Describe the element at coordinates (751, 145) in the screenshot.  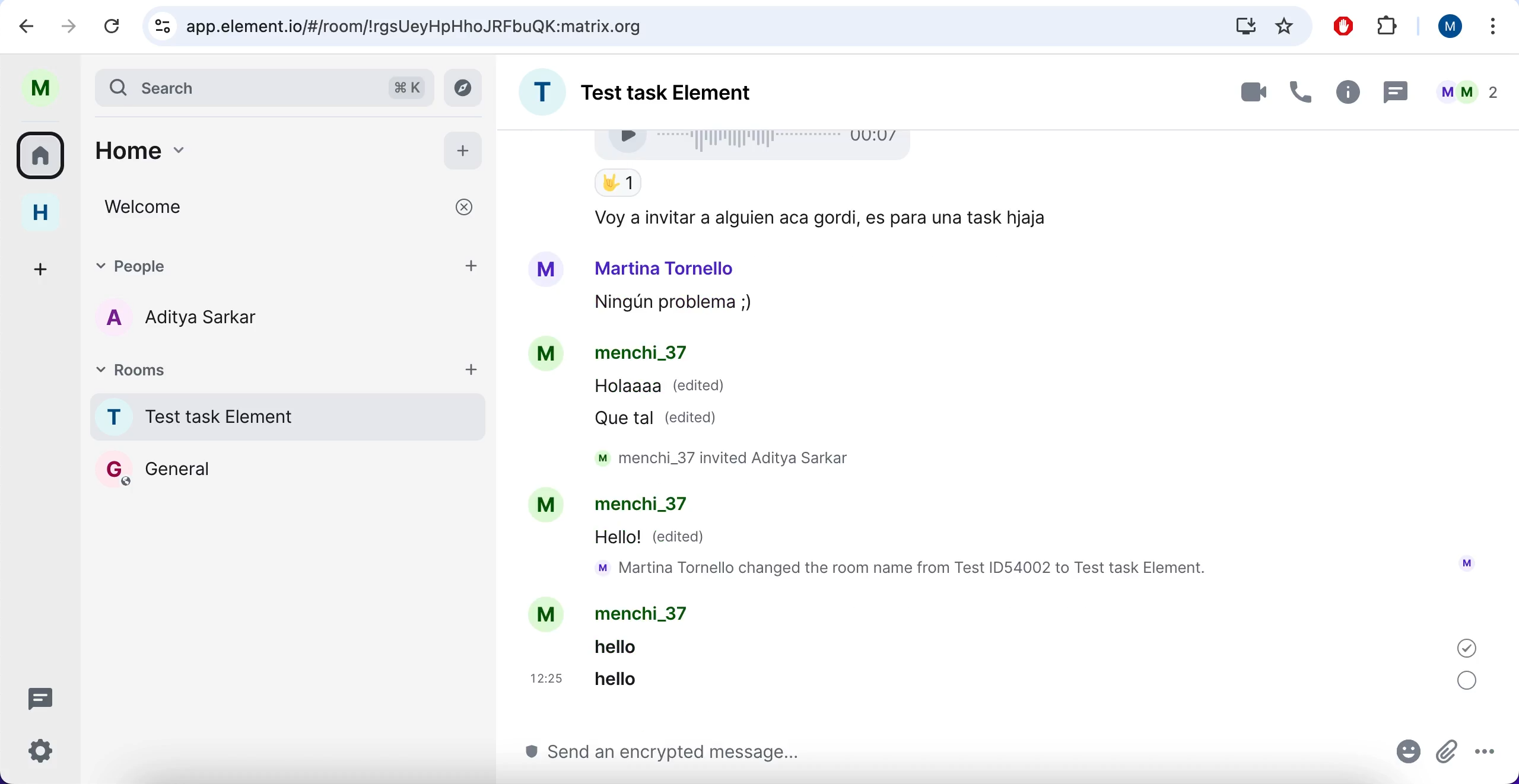
I see `Voice recording` at that location.